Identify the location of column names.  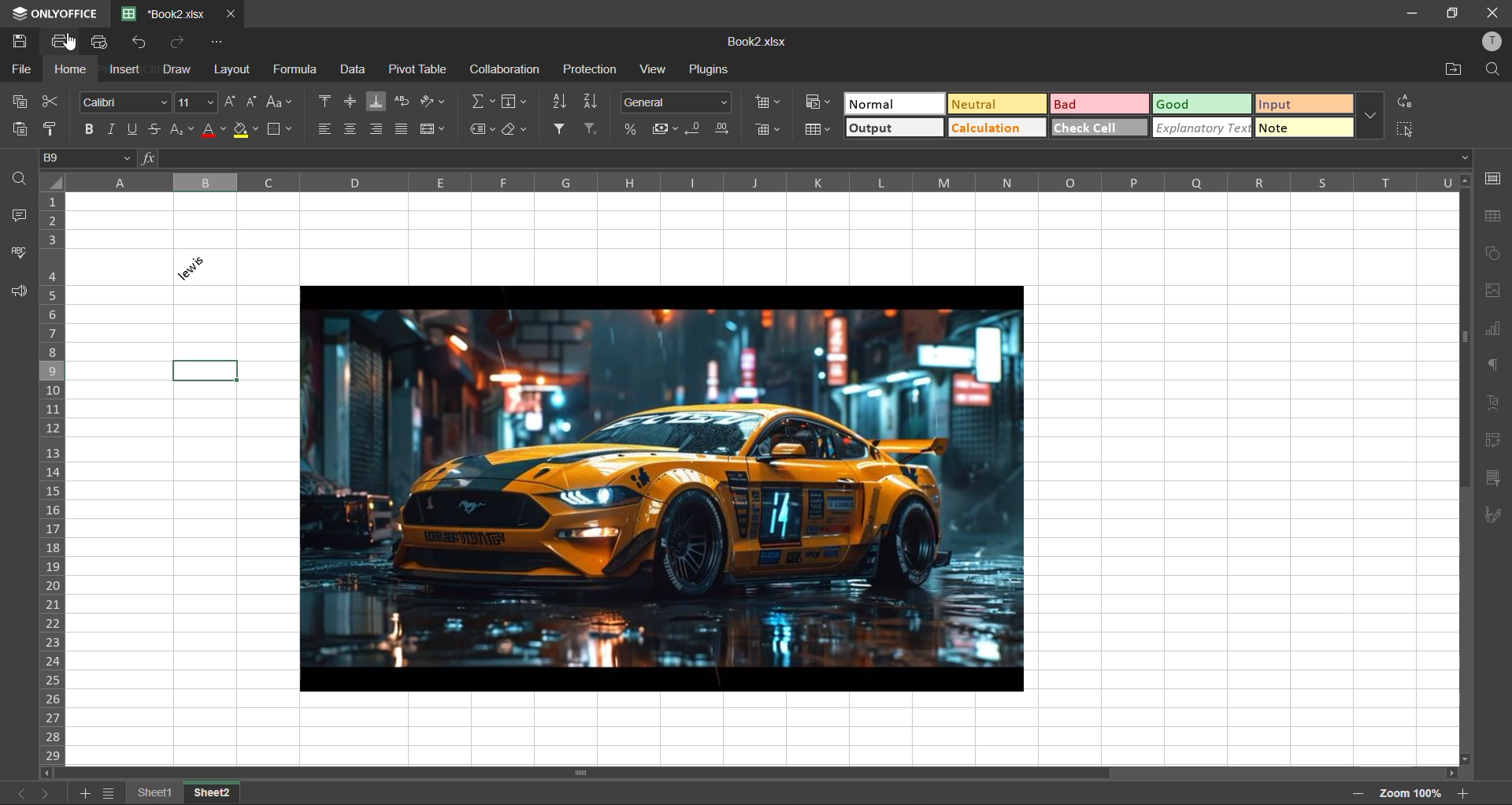
(760, 181).